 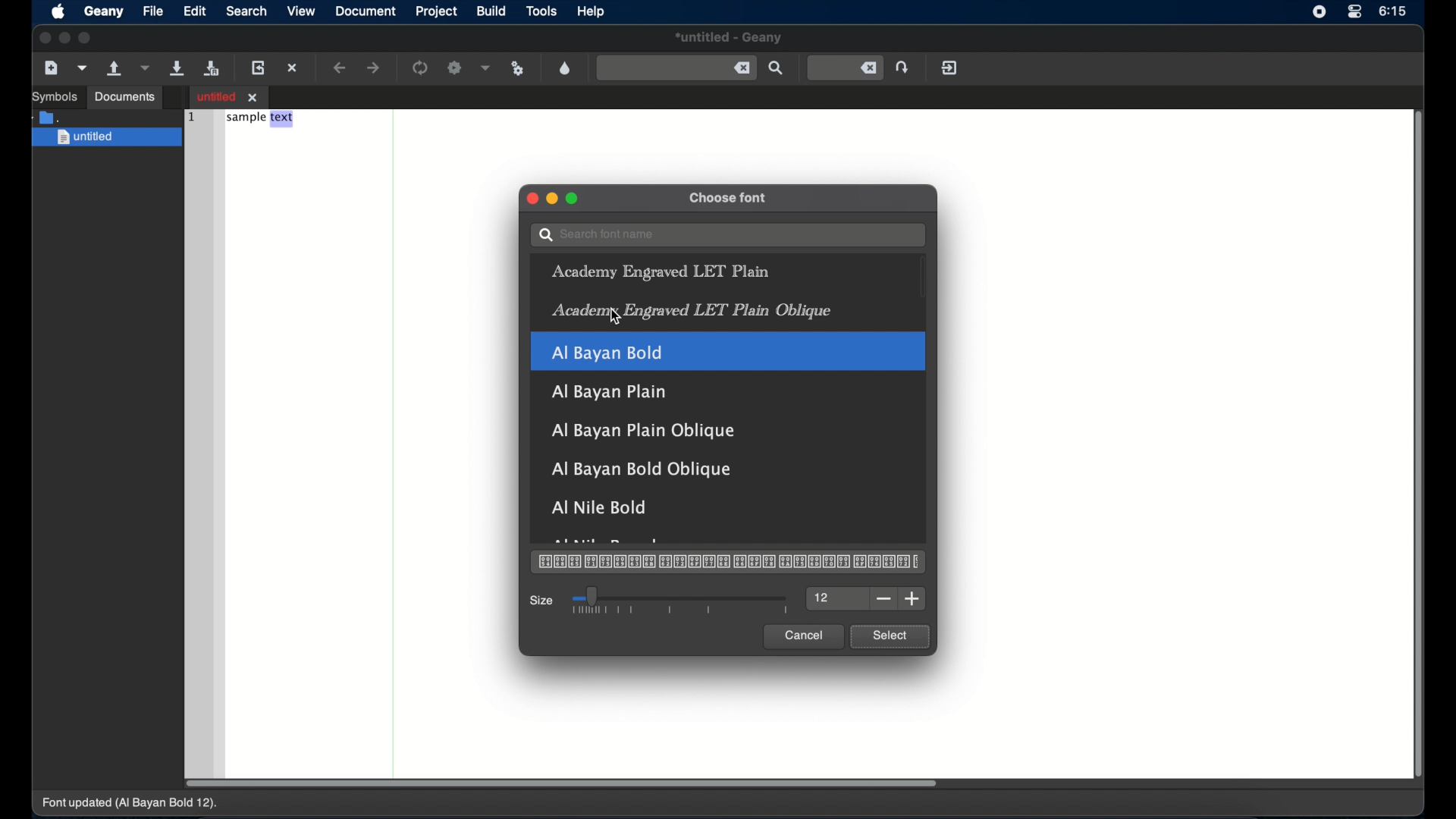 What do you see at coordinates (229, 96) in the screenshot?
I see `untitled file` at bounding box center [229, 96].